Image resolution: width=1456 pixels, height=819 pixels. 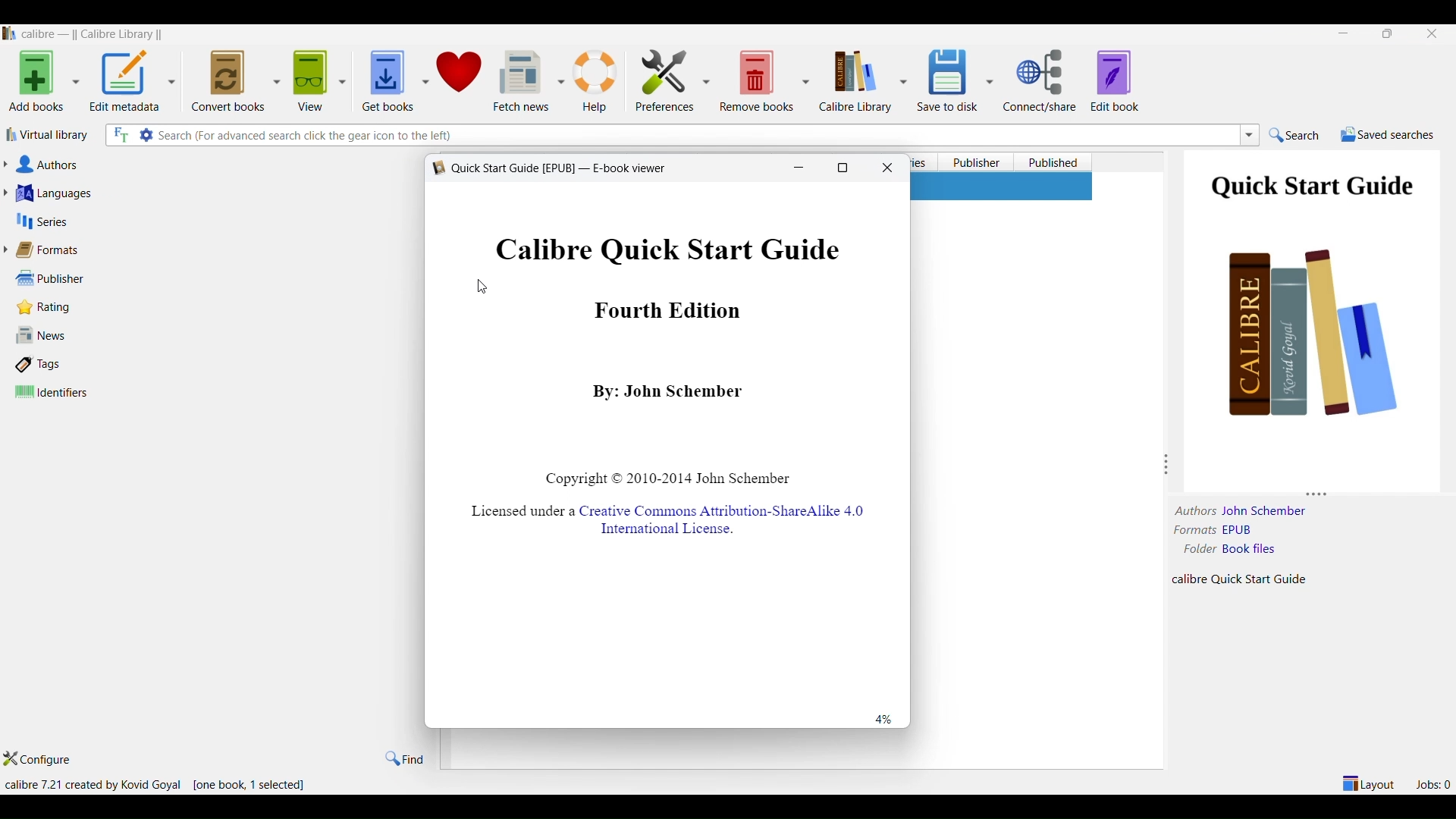 I want to click on authors, so click(x=1191, y=510).